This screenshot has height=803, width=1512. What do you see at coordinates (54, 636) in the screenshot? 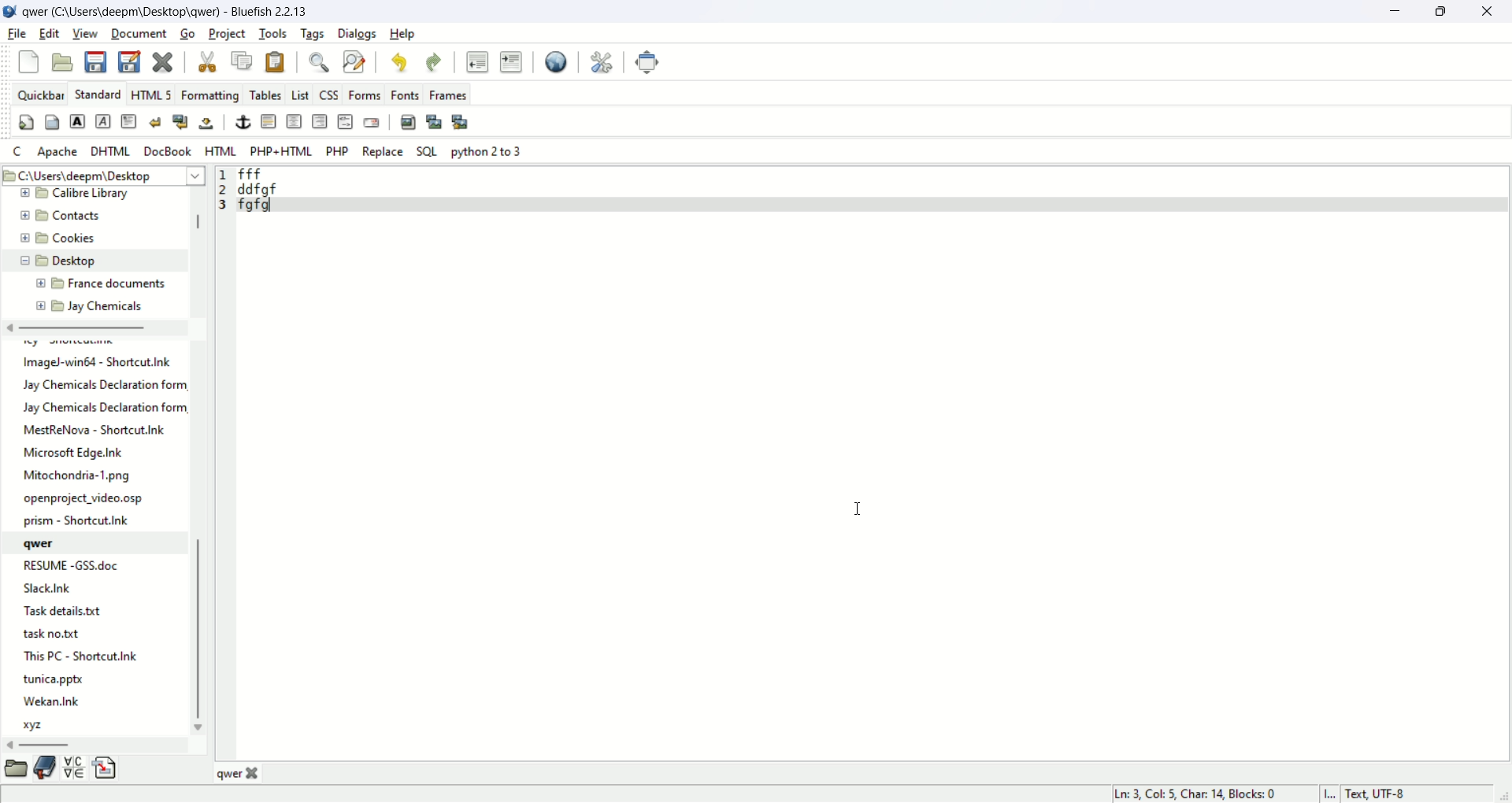
I see `task no.txt` at bounding box center [54, 636].